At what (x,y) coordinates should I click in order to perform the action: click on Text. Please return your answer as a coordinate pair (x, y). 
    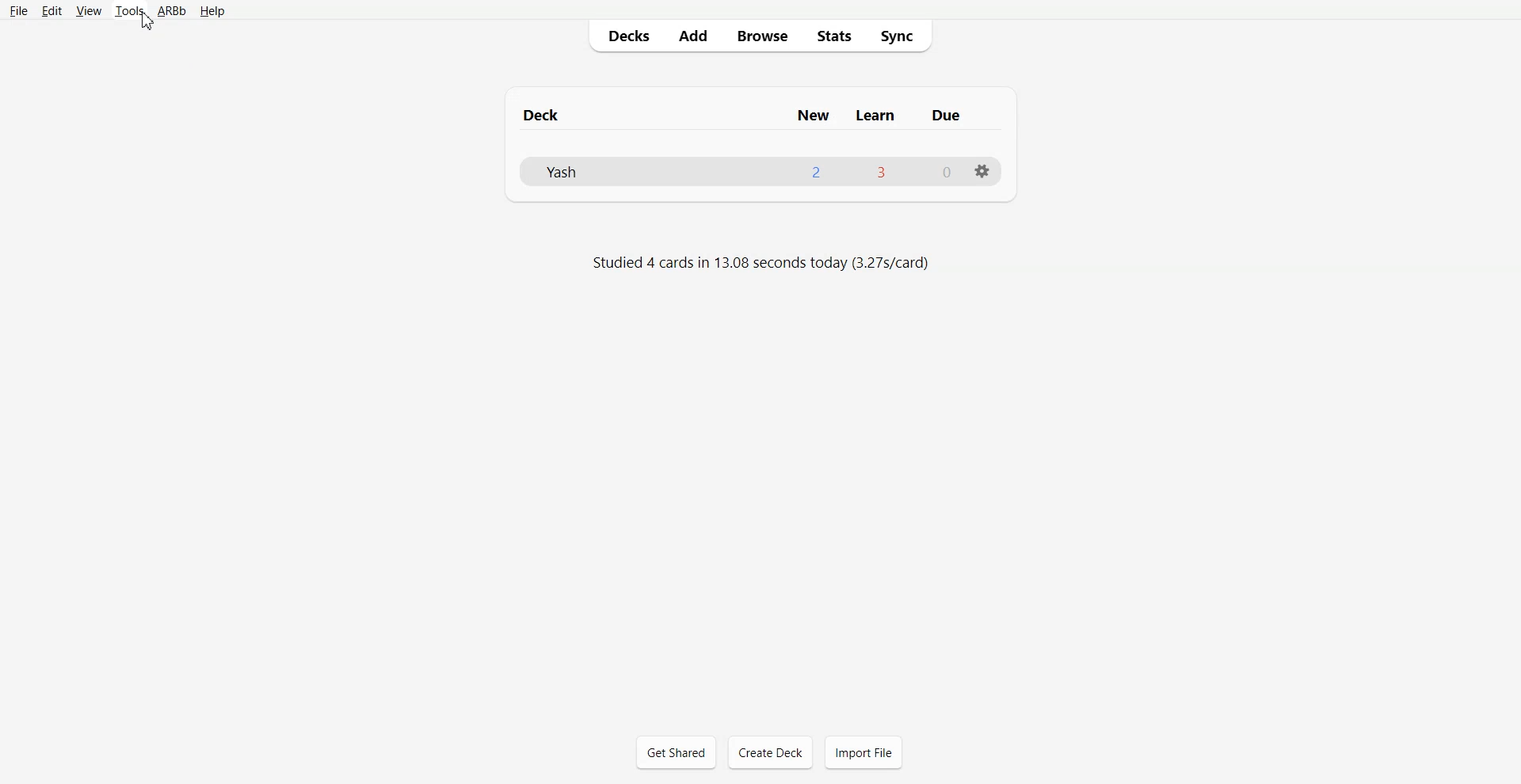
    Looking at the image, I should click on (760, 108).